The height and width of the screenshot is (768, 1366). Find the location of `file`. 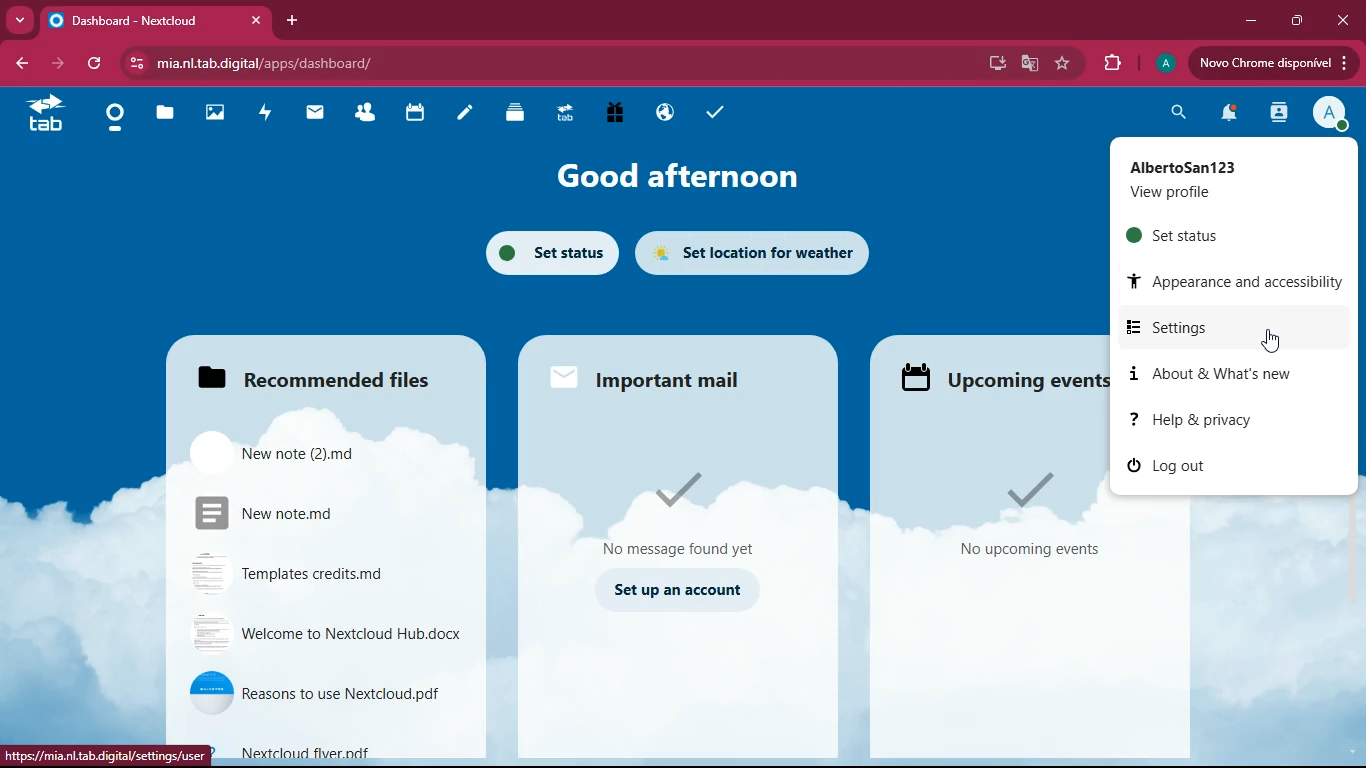

file is located at coordinates (308, 449).